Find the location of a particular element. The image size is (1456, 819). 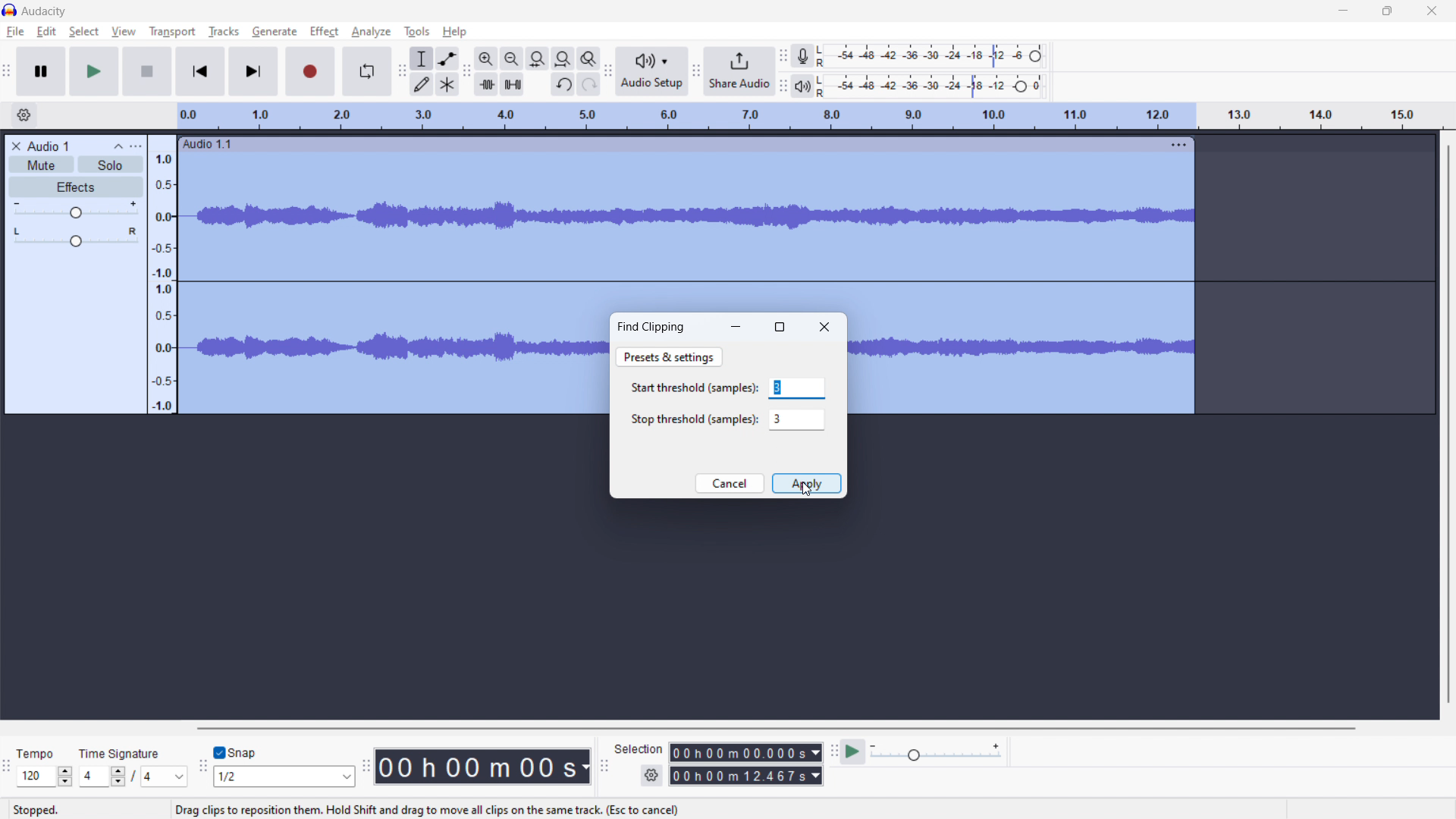

close is located at coordinates (1432, 9).